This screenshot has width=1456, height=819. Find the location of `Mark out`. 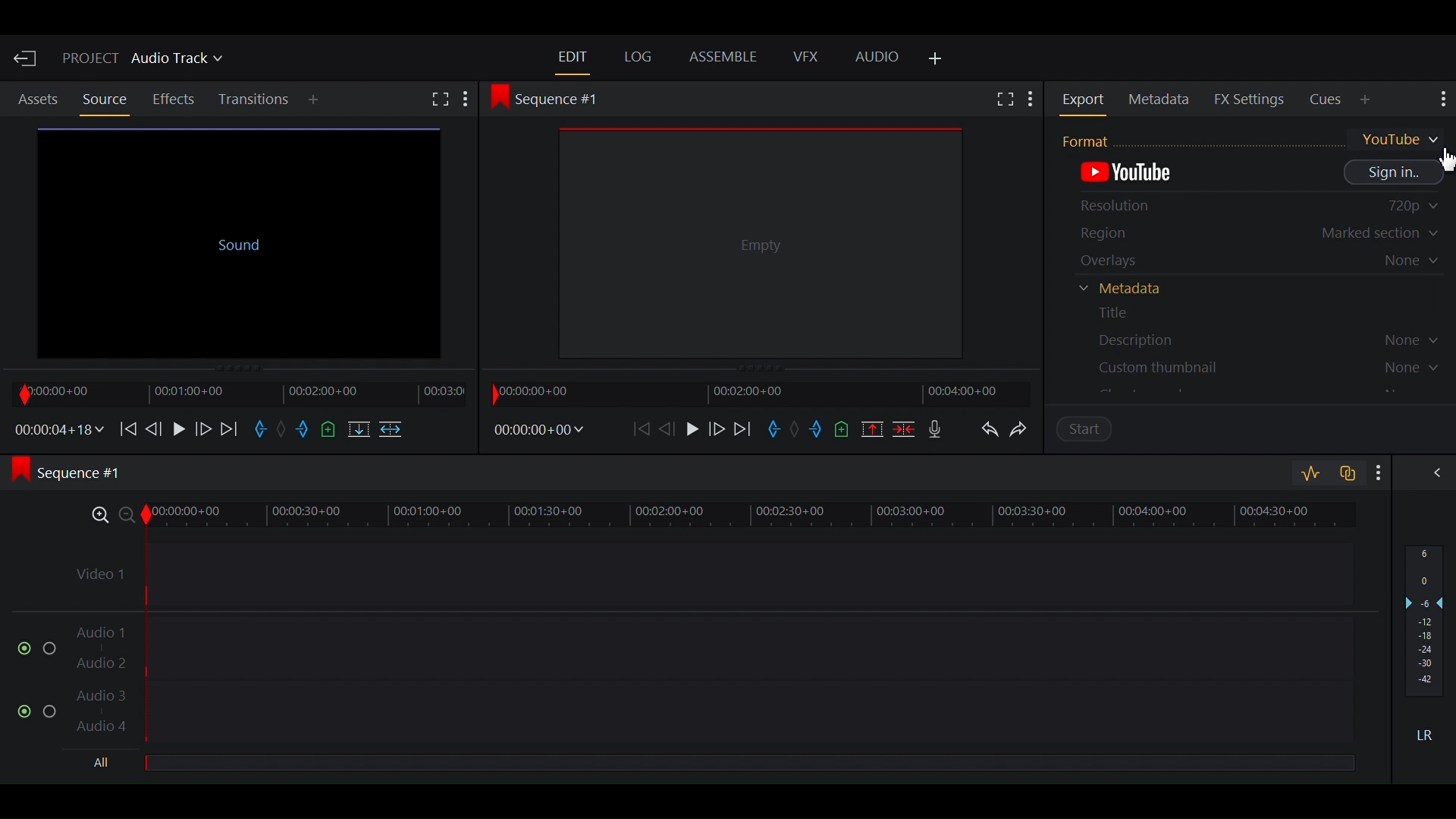

Mark out is located at coordinates (304, 431).